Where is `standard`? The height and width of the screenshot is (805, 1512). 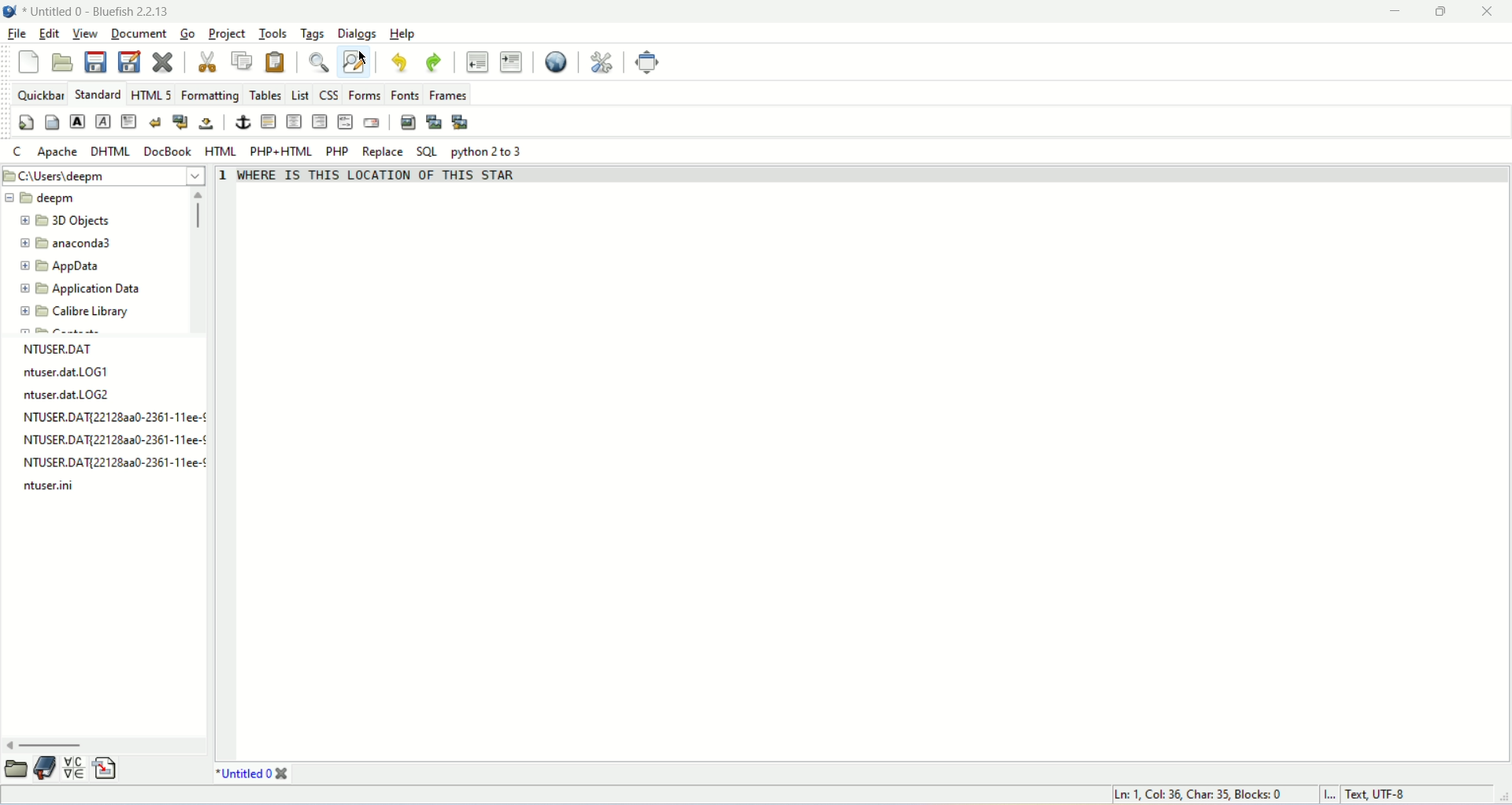
standard is located at coordinates (96, 94).